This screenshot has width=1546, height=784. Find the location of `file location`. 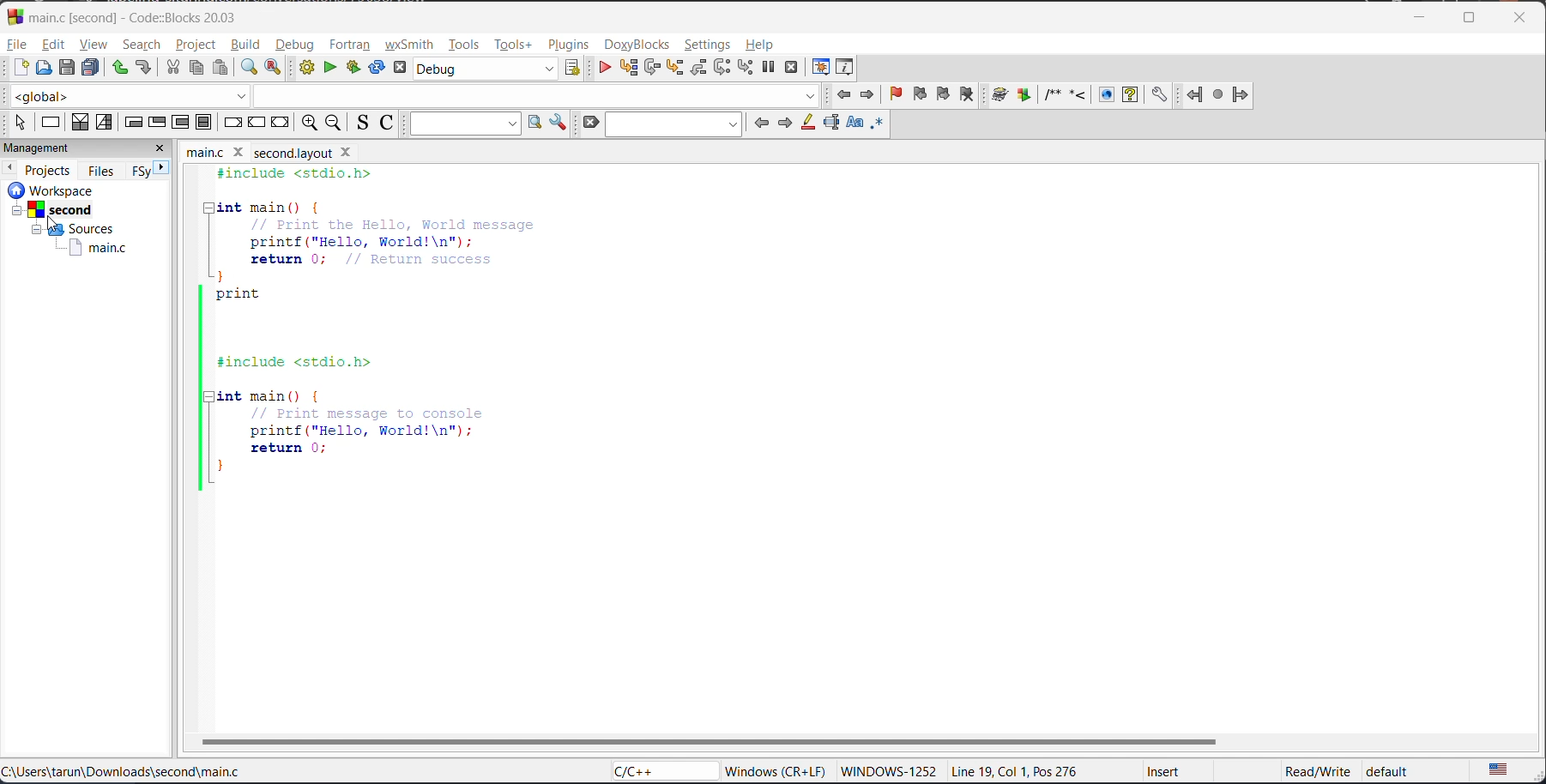

file location is located at coordinates (124, 771).